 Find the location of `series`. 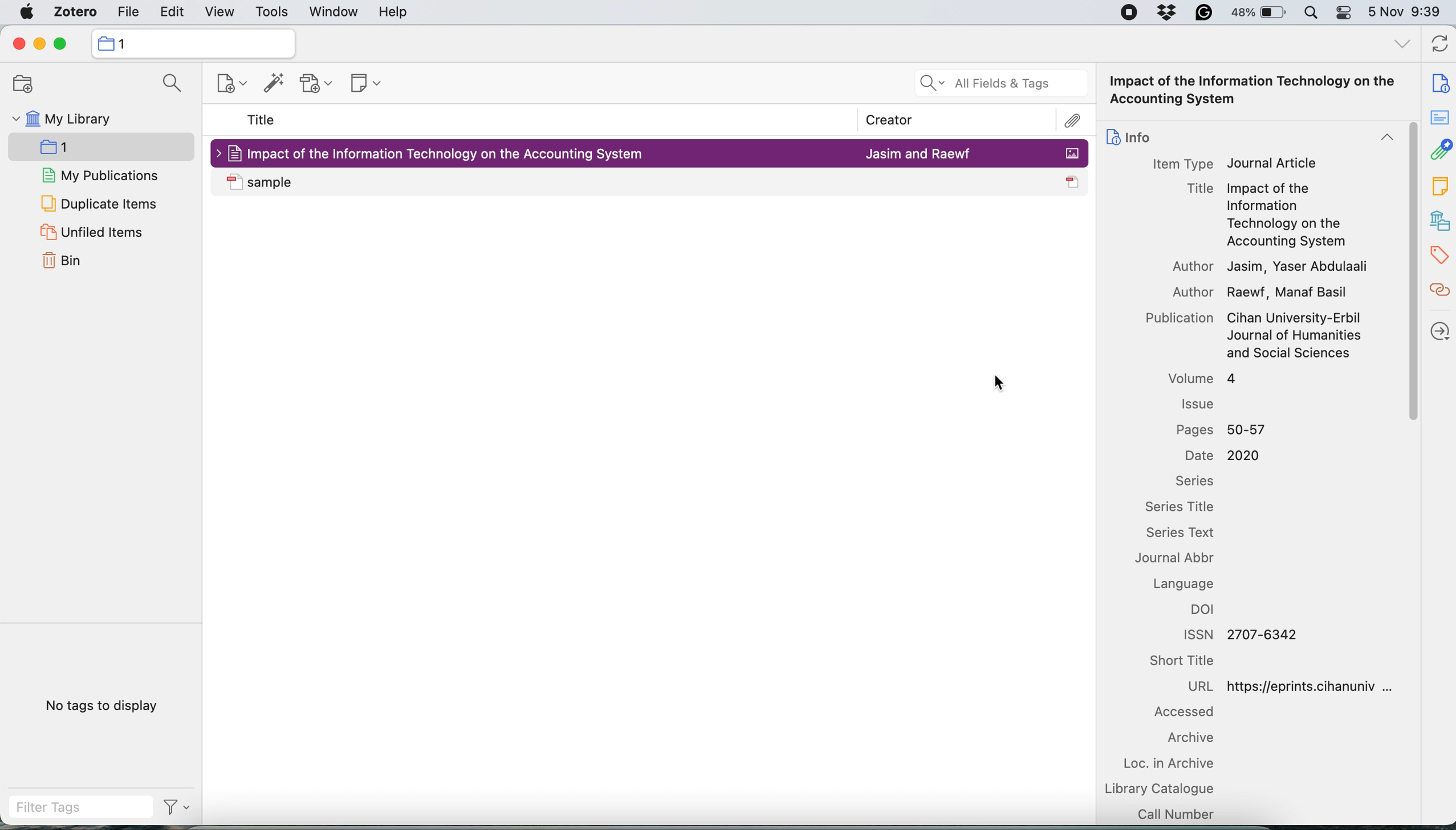

series is located at coordinates (1194, 481).